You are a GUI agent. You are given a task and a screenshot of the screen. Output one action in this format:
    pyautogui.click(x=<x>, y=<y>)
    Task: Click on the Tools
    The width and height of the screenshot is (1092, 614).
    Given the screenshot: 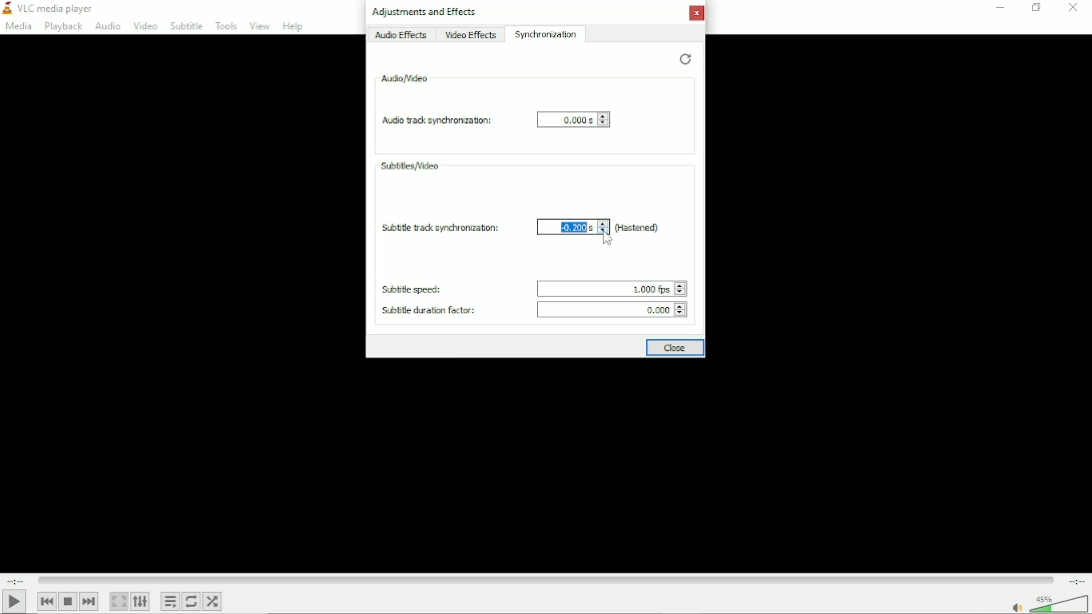 What is the action you would take?
    pyautogui.click(x=225, y=25)
    